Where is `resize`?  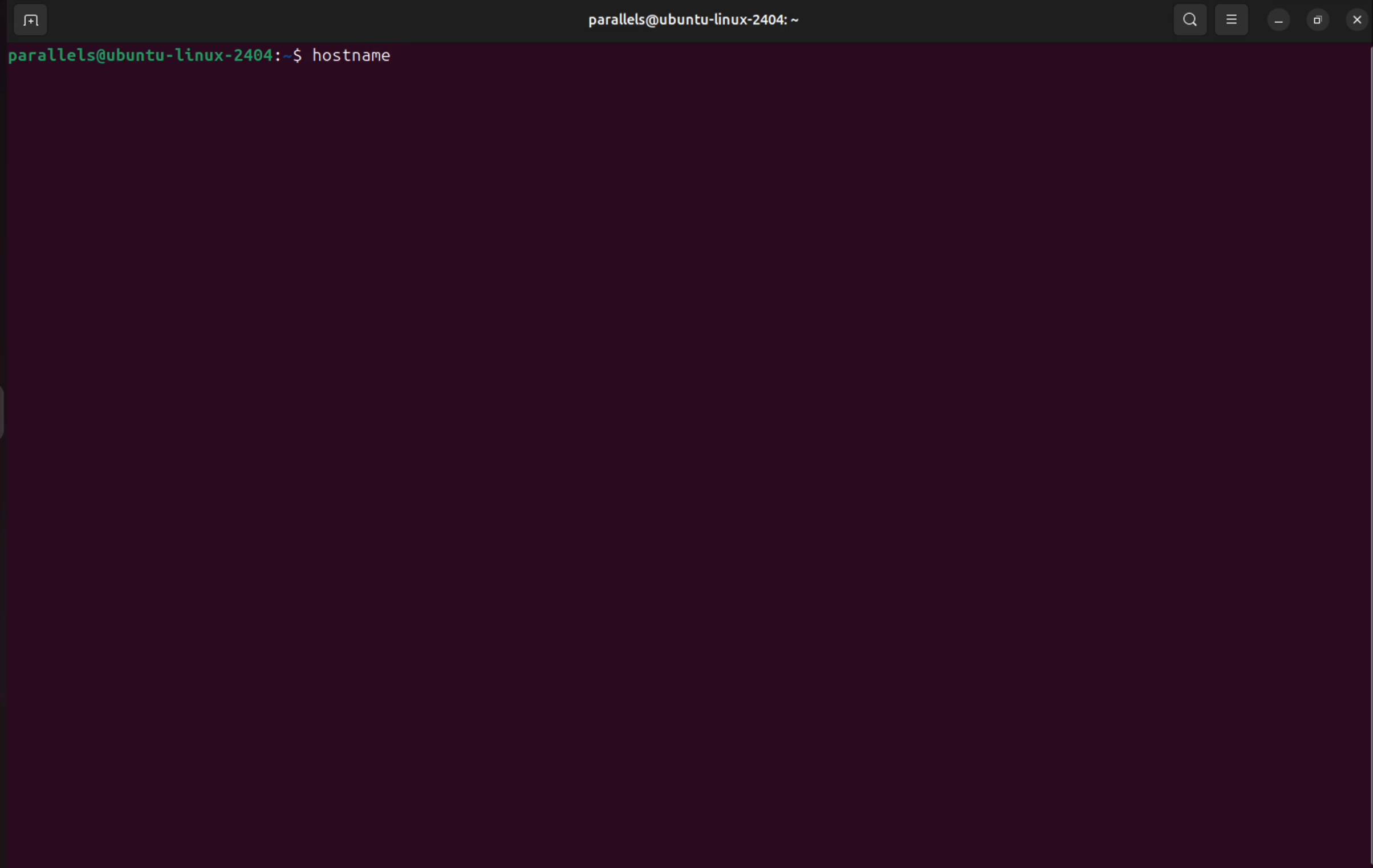 resize is located at coordinates (1317, 19).